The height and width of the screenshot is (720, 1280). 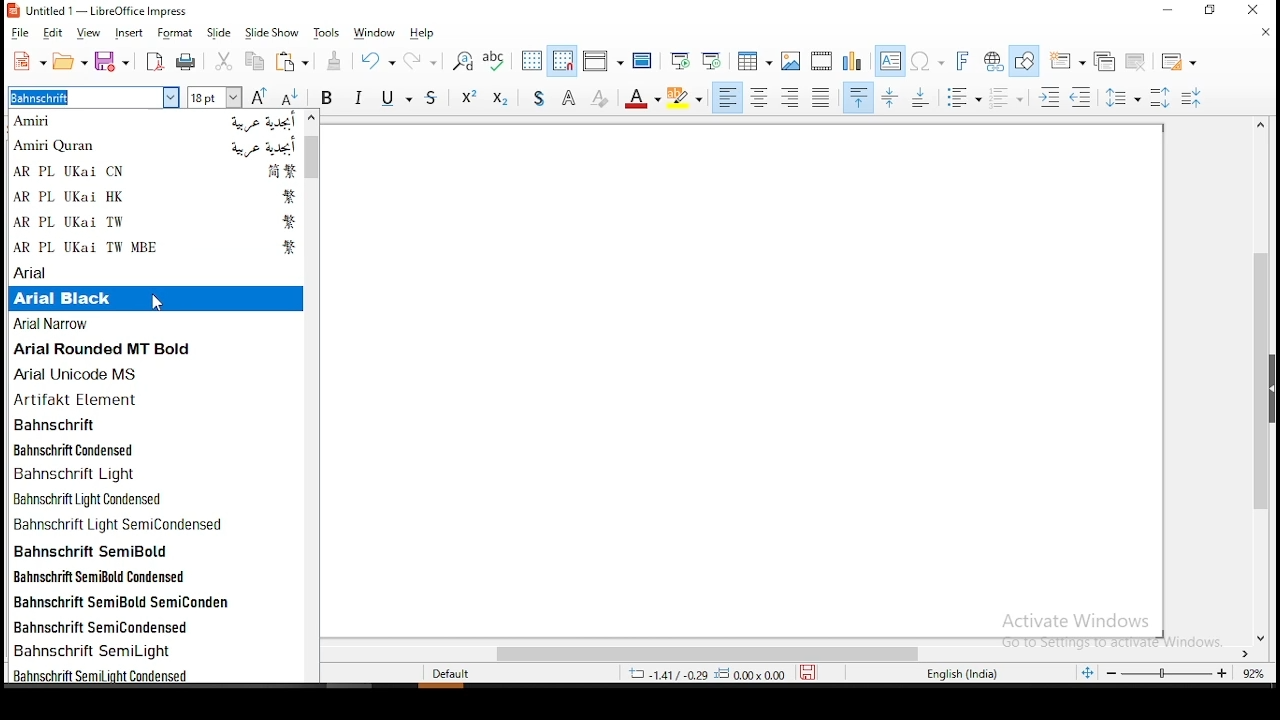 I want to click on scroll bar, so click(x=1268, y=380).